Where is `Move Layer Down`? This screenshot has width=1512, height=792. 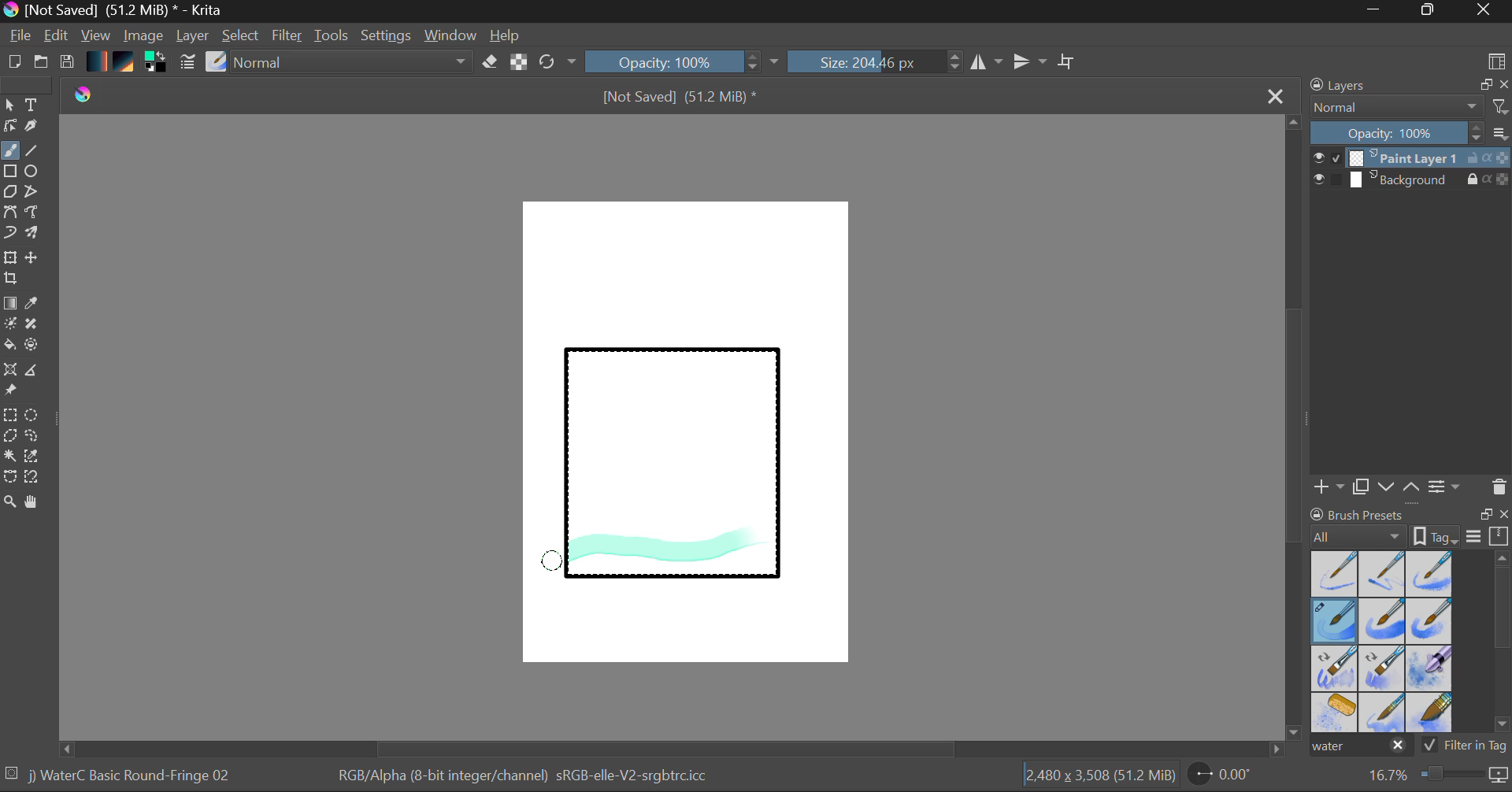 Move Layer Down is located at coordinates (1388, 487).